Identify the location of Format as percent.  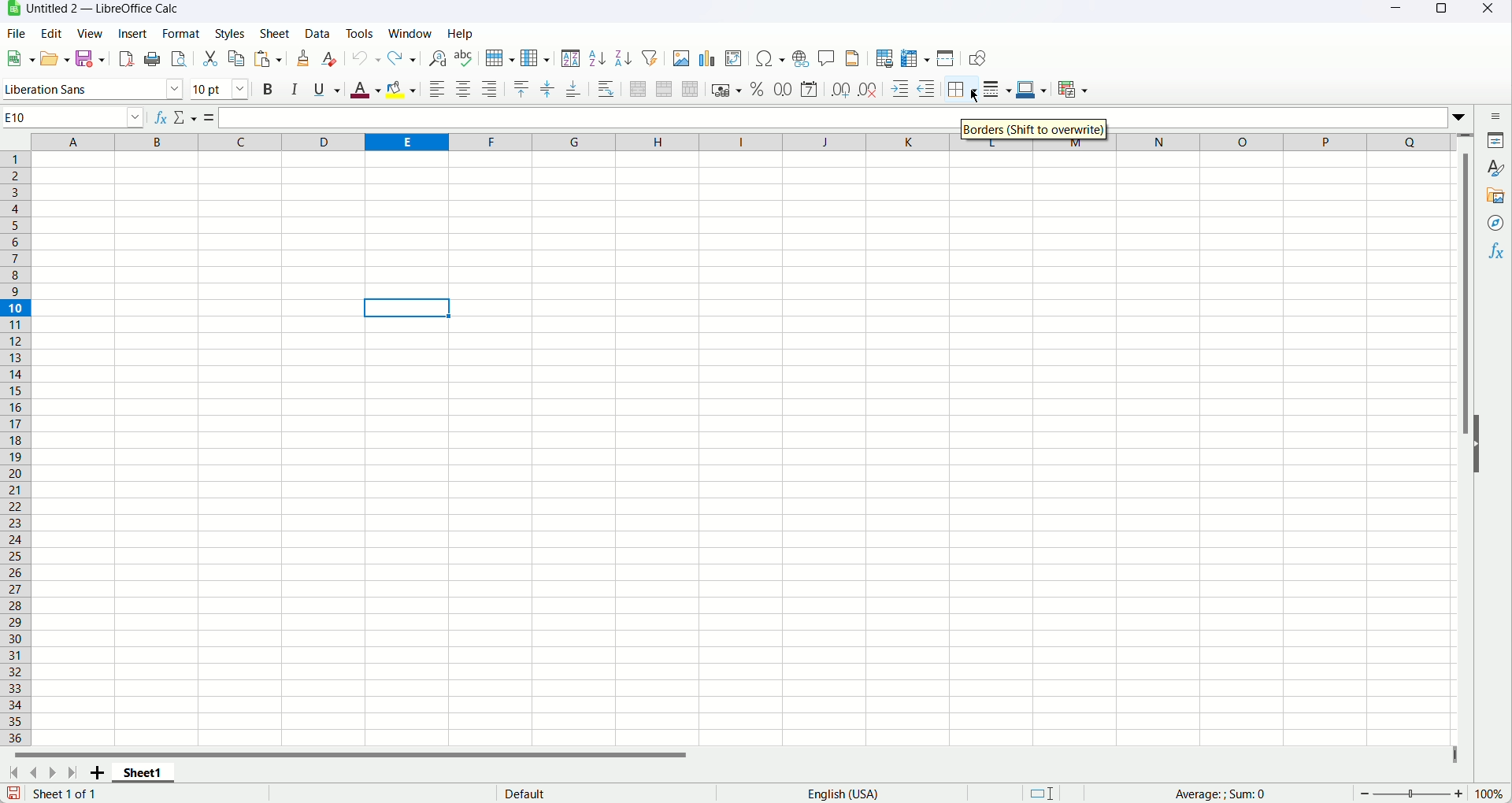
(758, 89).